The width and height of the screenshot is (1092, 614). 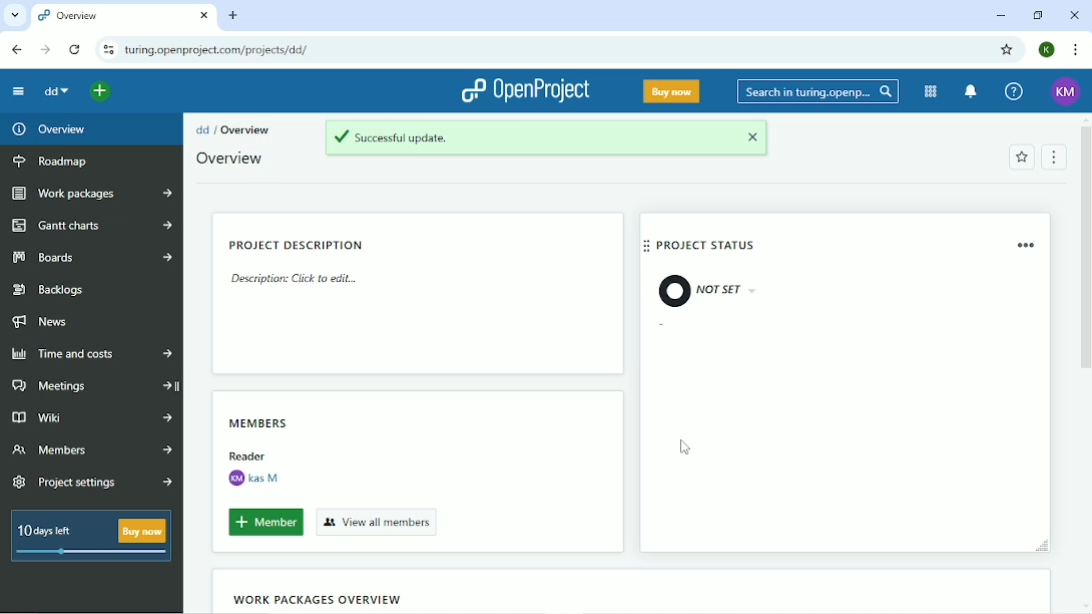 I want to click on Description: Click to edit..., so click(x=293, y=279).